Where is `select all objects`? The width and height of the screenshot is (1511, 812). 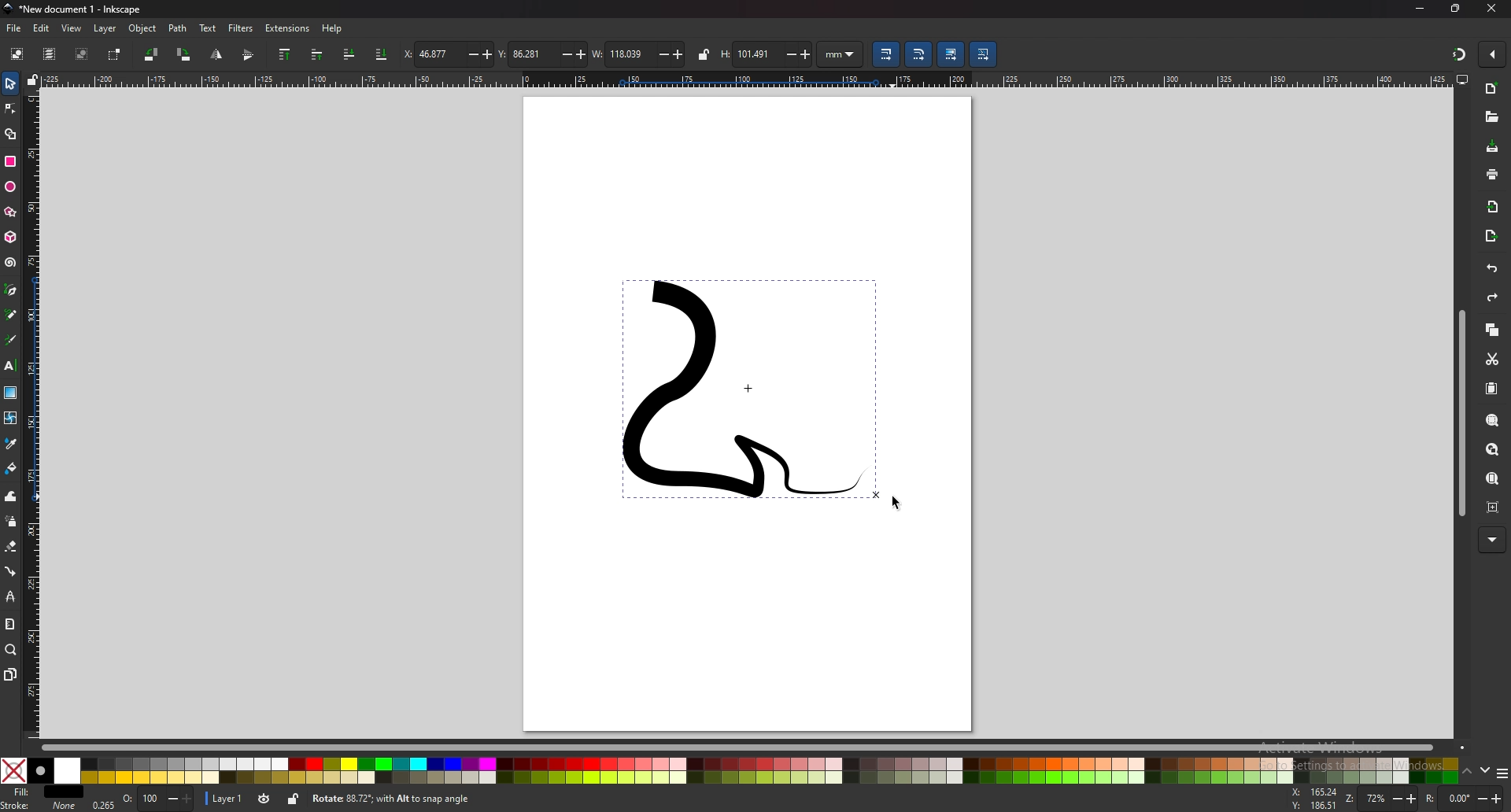 select all objects is located at coordinates (17, 53).